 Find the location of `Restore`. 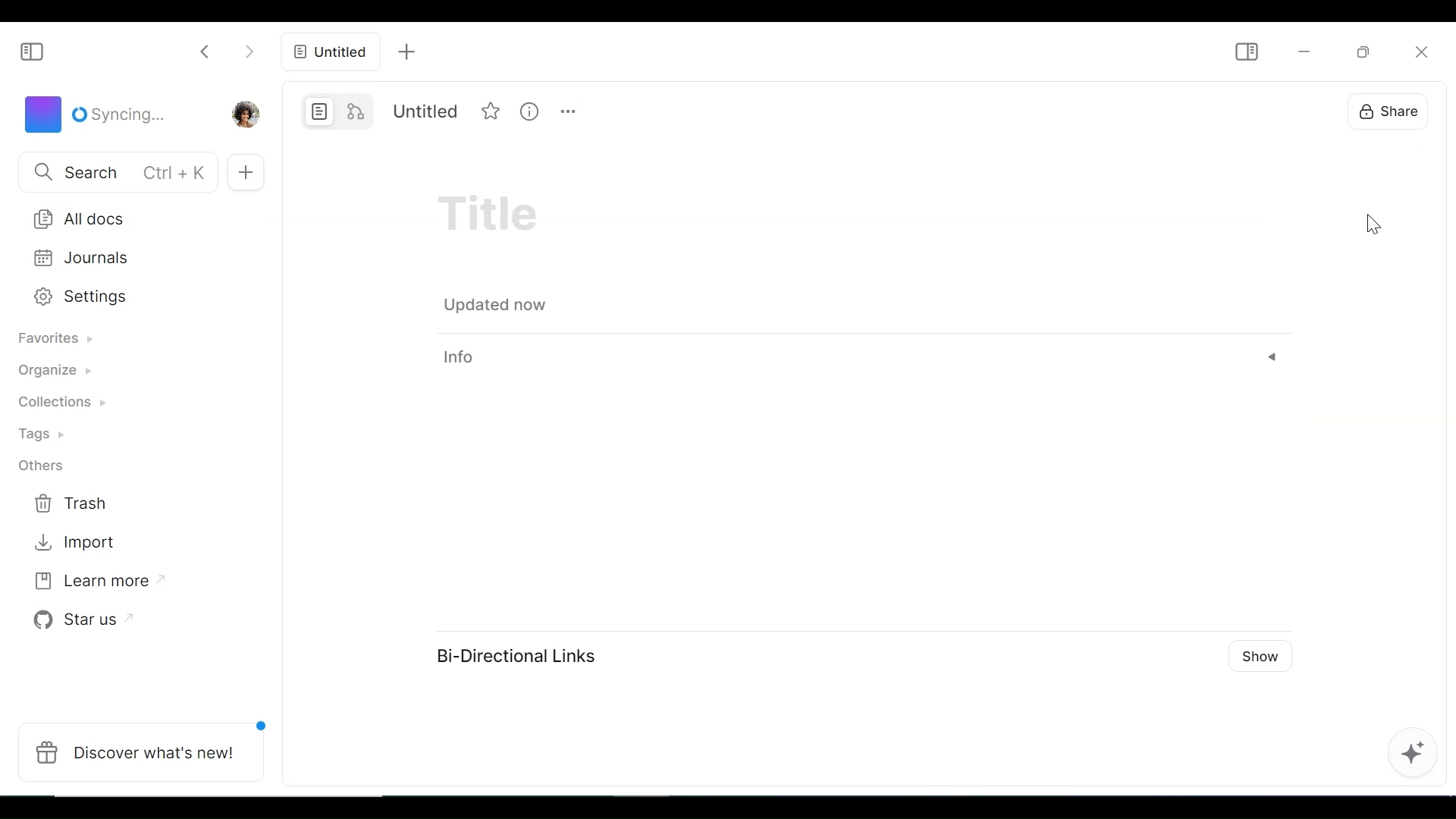

Restore is located at coordinates (1361, 51).